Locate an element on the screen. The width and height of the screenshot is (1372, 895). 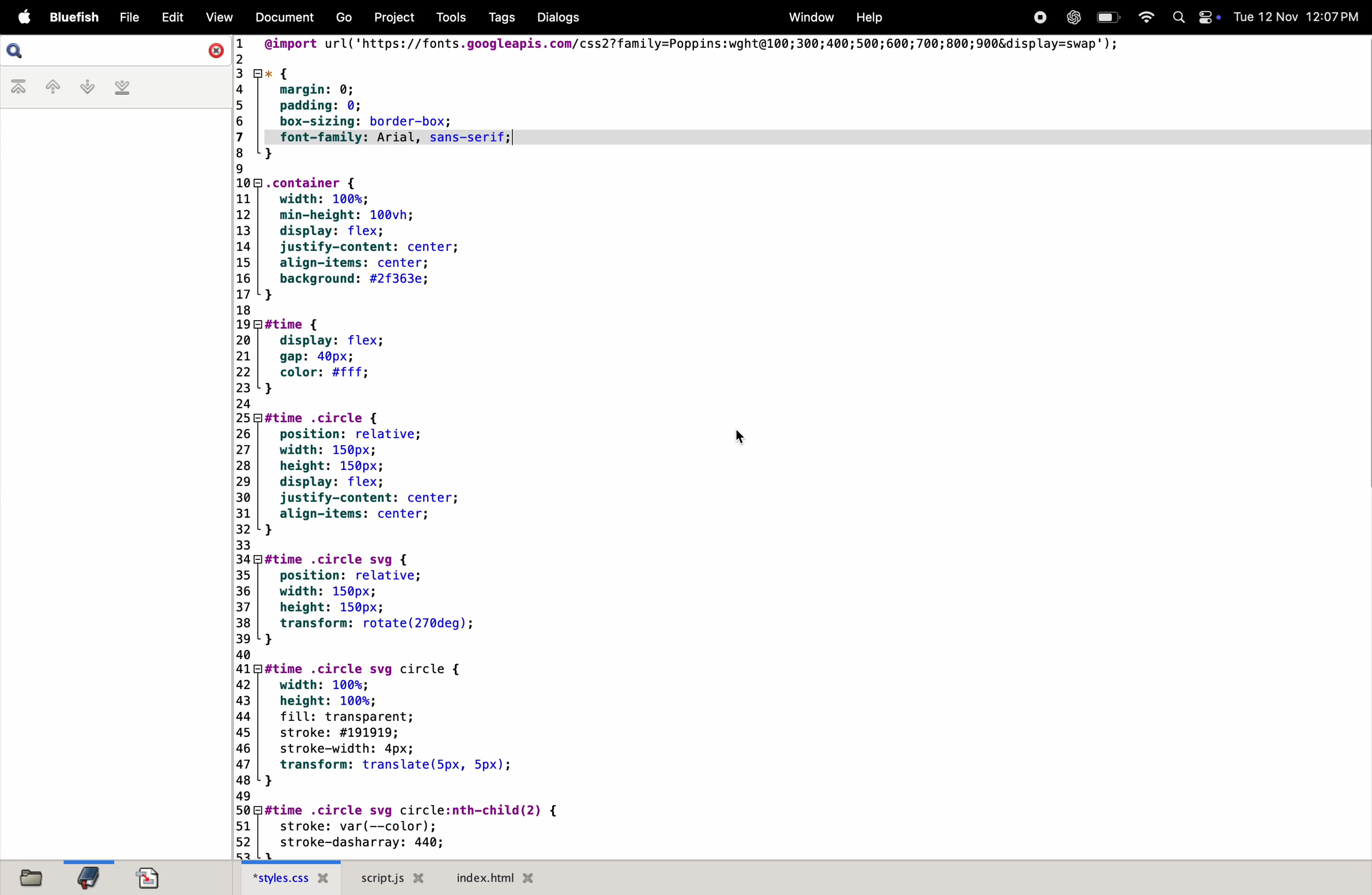
last bookmark is located at coordinates (122, 89).